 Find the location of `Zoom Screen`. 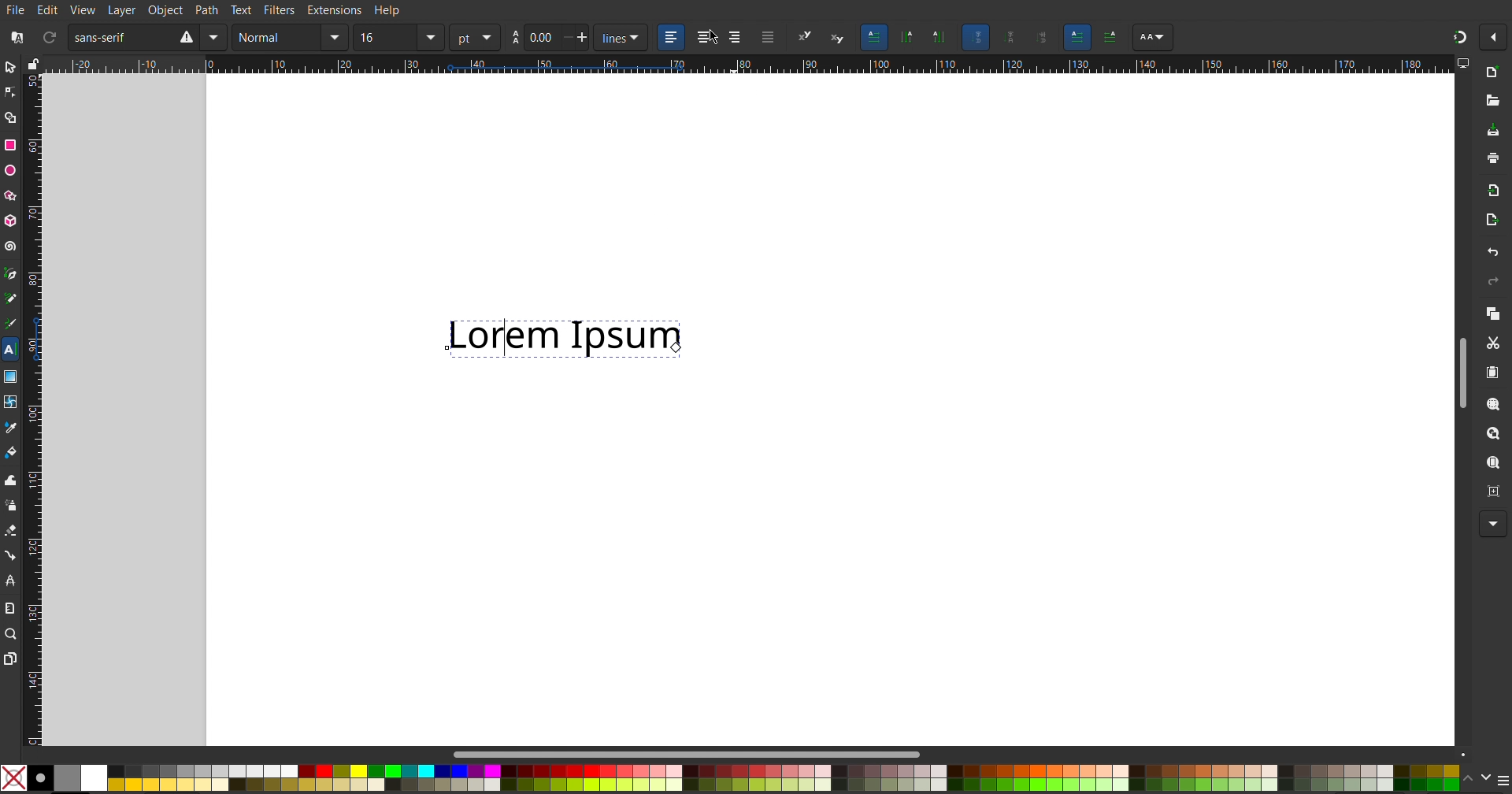

Zoom Screen is located at coordinates (1495, 462).